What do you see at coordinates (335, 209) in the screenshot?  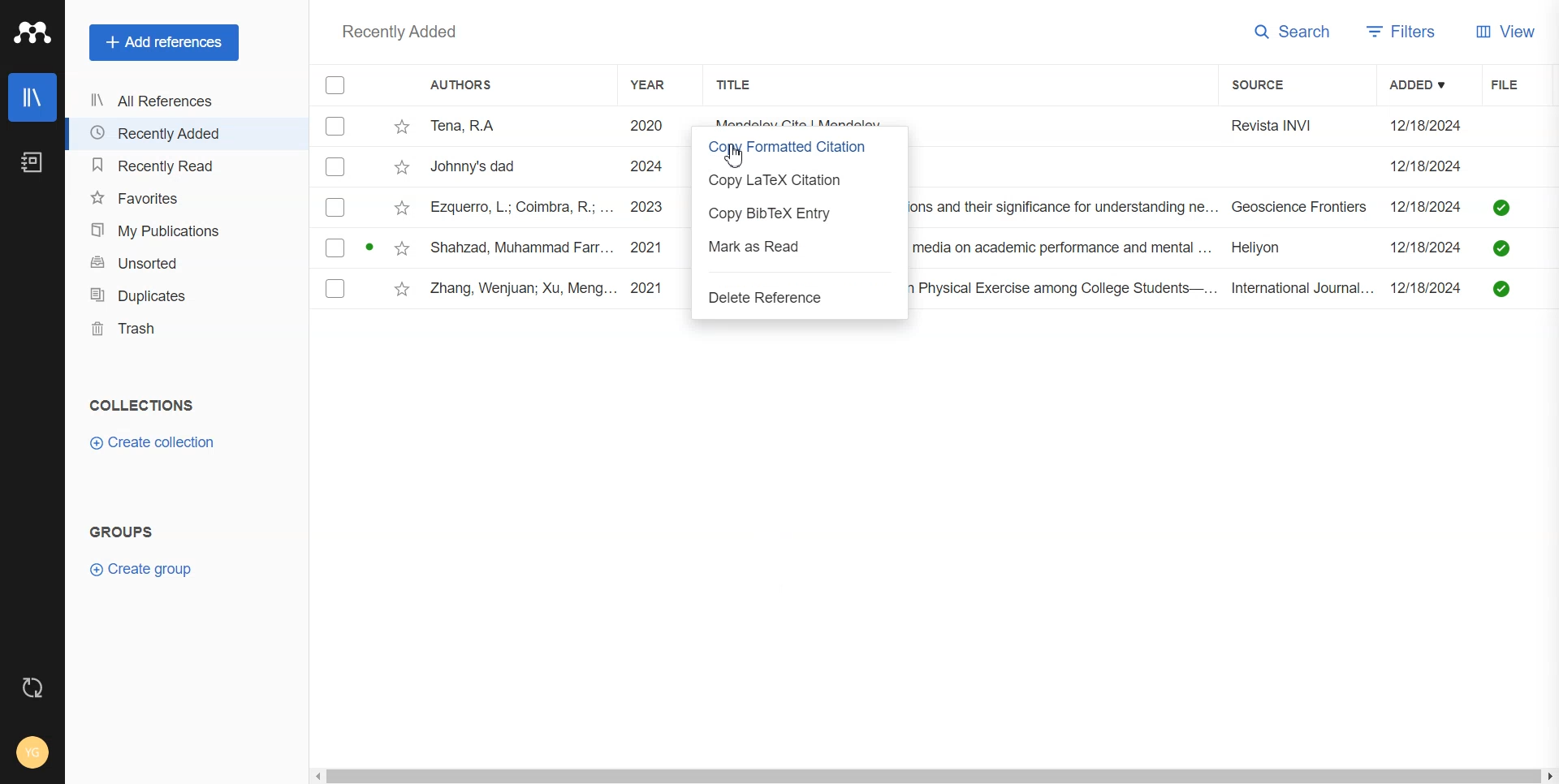 I see `Checkbox` at bounding box center [335, 209].